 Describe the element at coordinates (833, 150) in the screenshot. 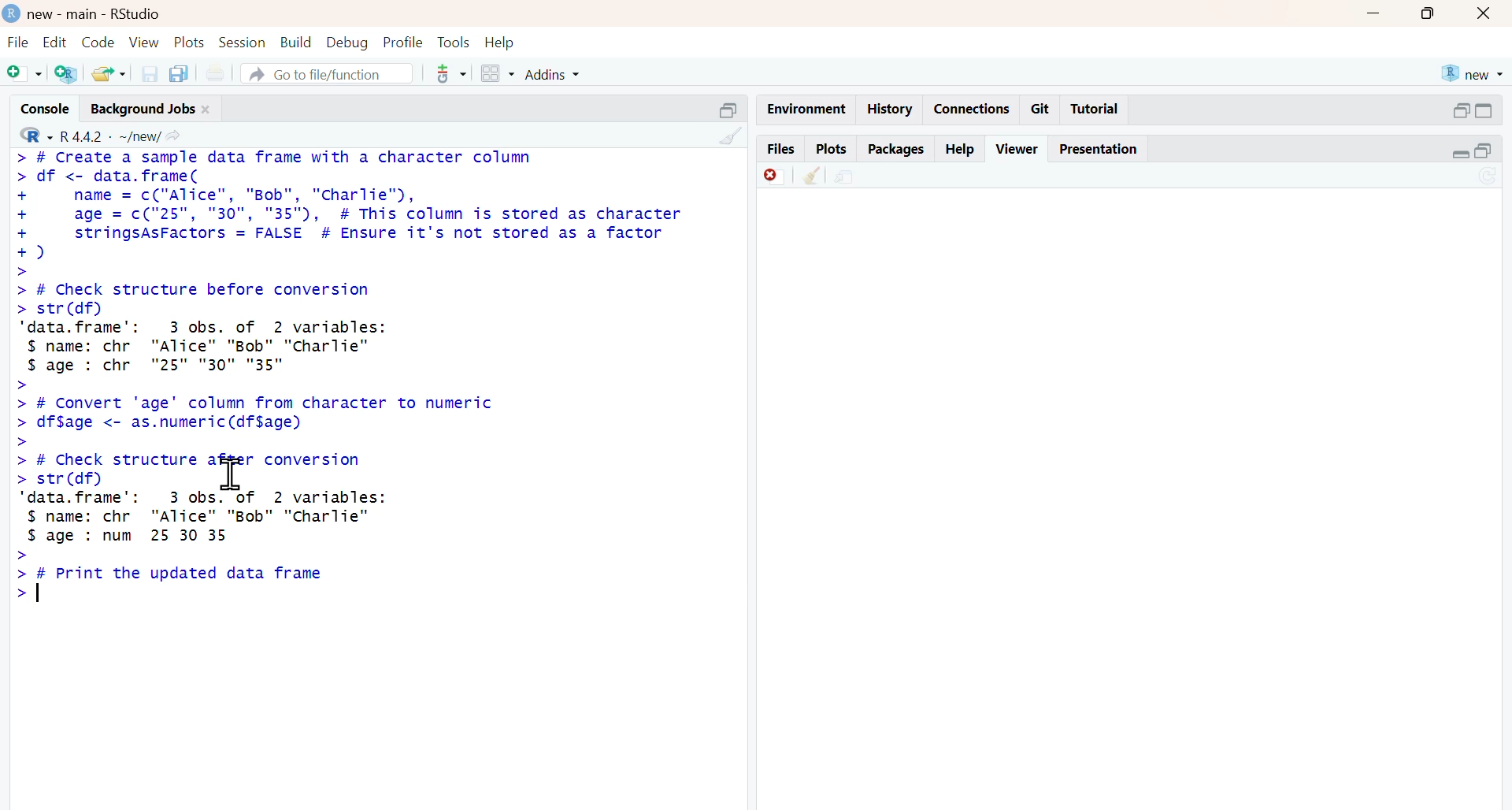

I see `plots` at that location.